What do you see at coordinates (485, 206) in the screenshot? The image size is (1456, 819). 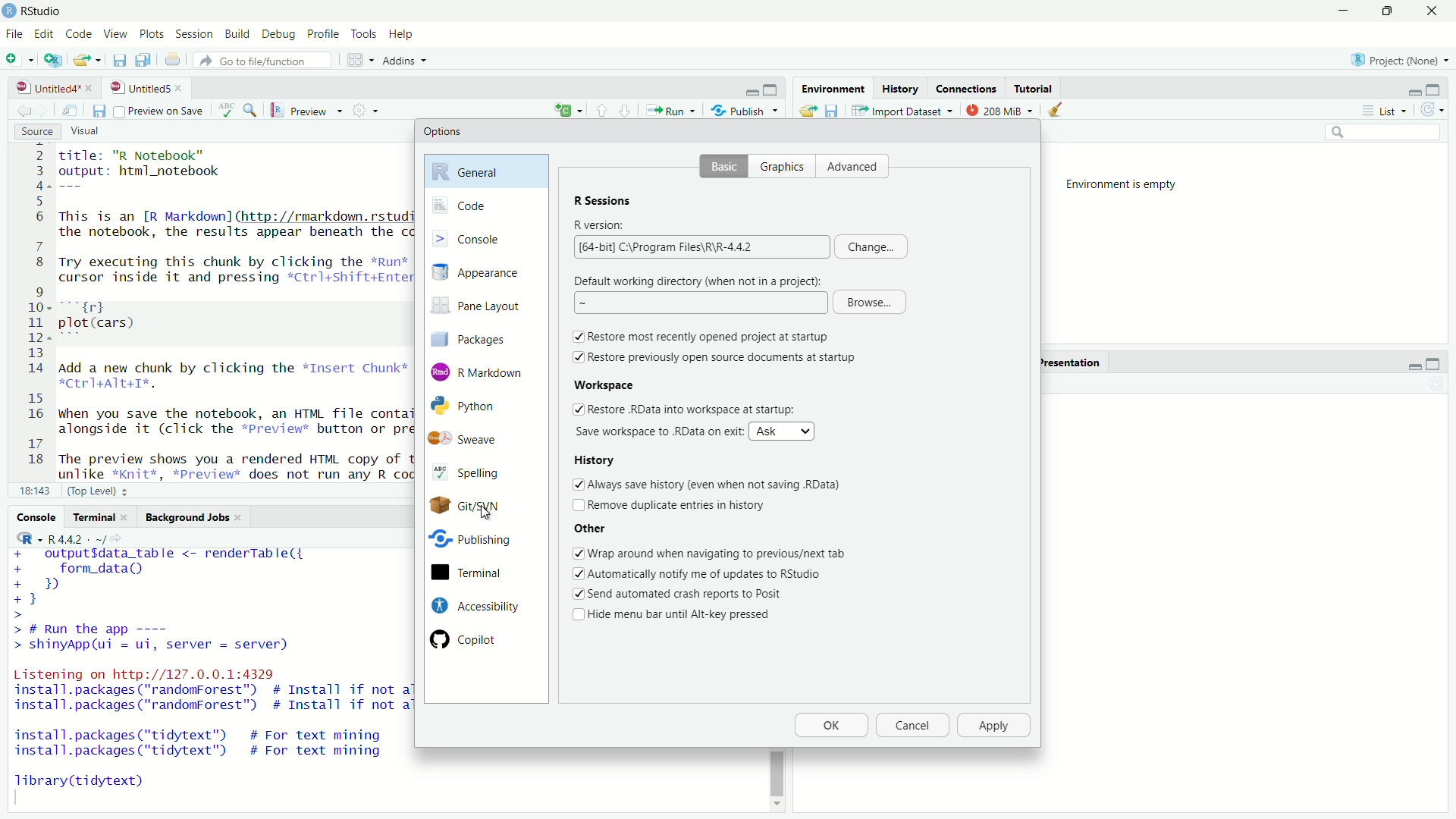 I see `Code` at bounding box center [485, 206].